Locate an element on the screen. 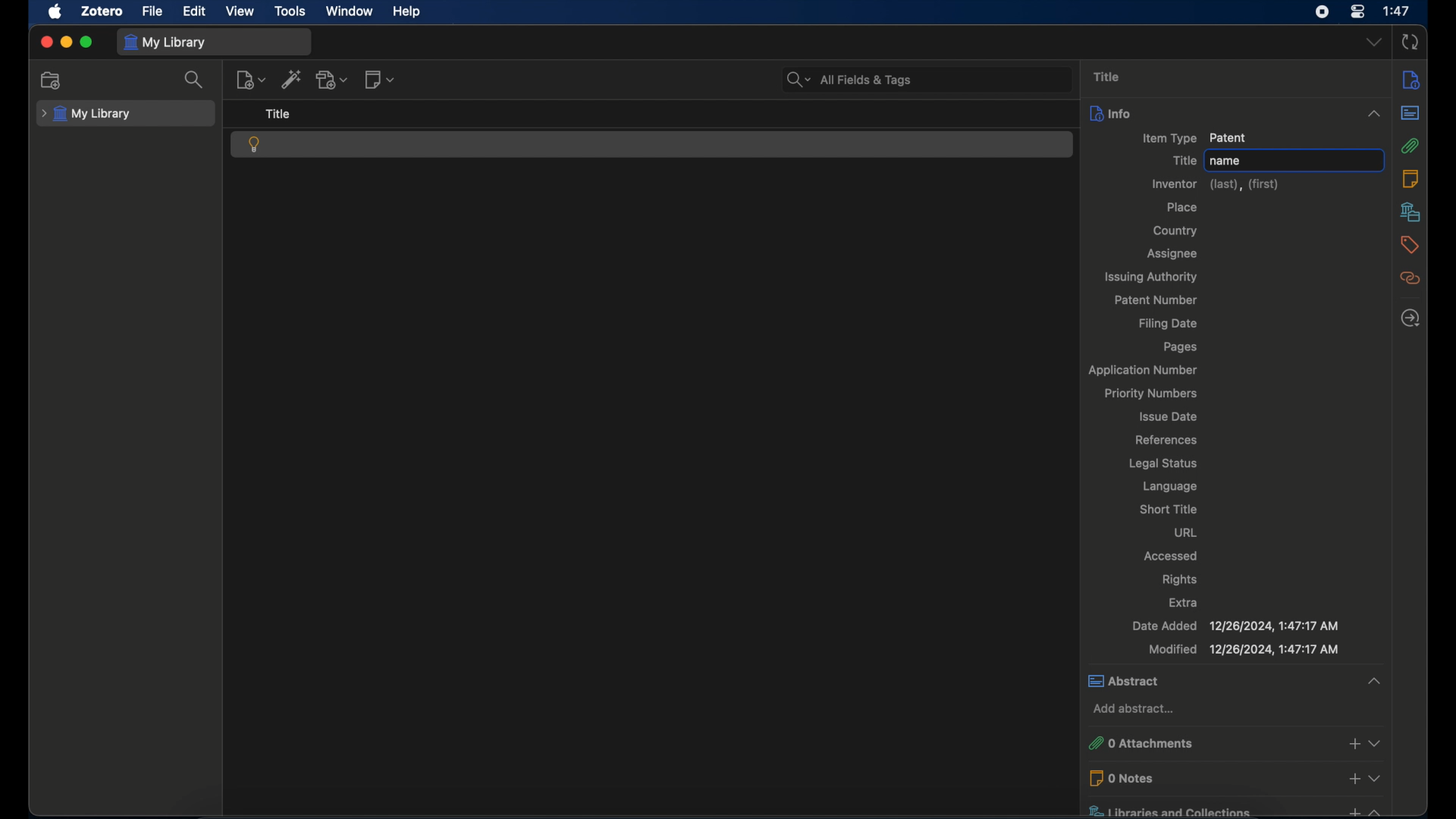 The width and height of the screenshot is (1456, 819). item type patient is located at coordinates (1194, 138).